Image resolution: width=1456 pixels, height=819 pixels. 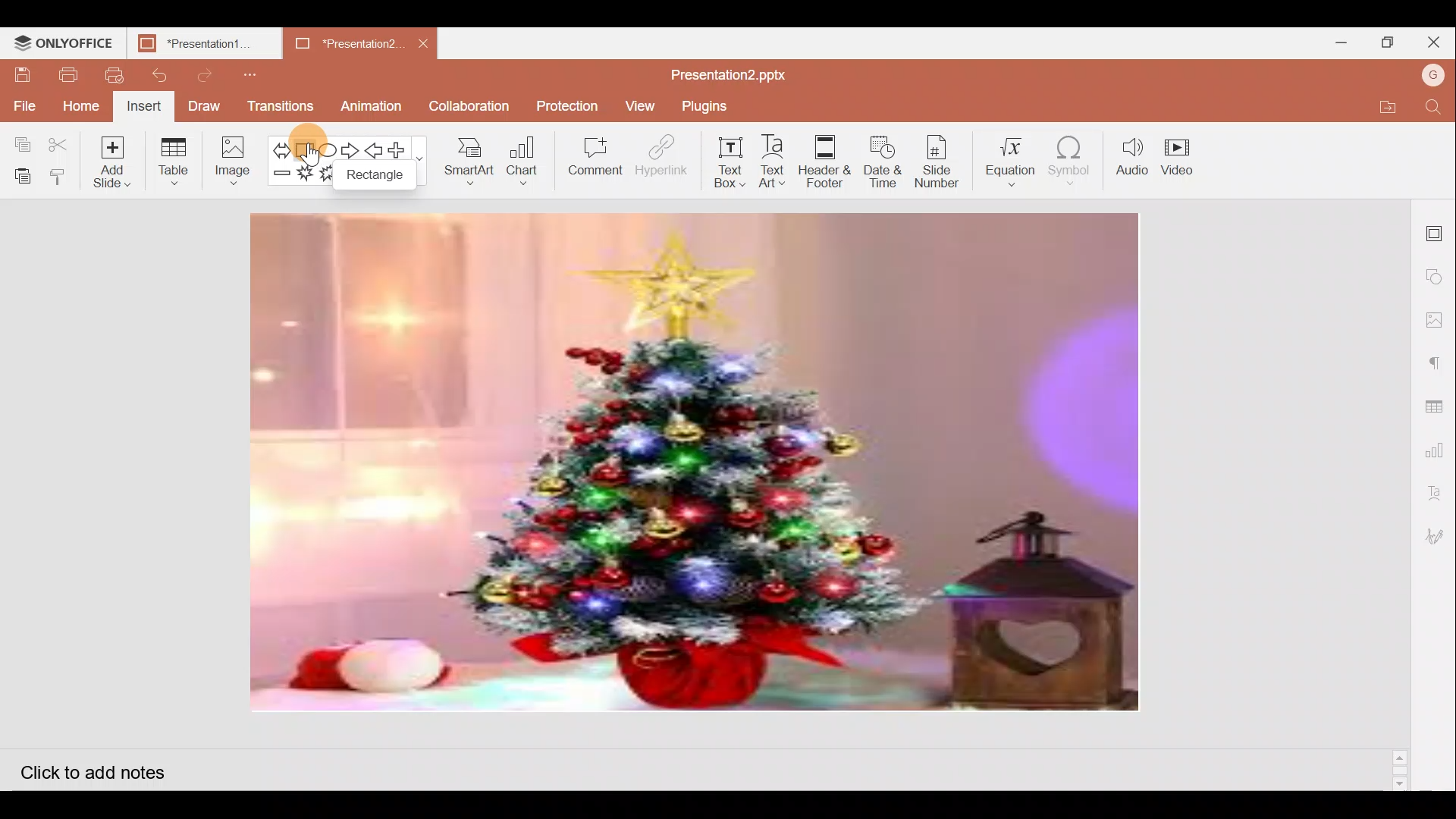 I want to click on File, so click(x=23, y=102).